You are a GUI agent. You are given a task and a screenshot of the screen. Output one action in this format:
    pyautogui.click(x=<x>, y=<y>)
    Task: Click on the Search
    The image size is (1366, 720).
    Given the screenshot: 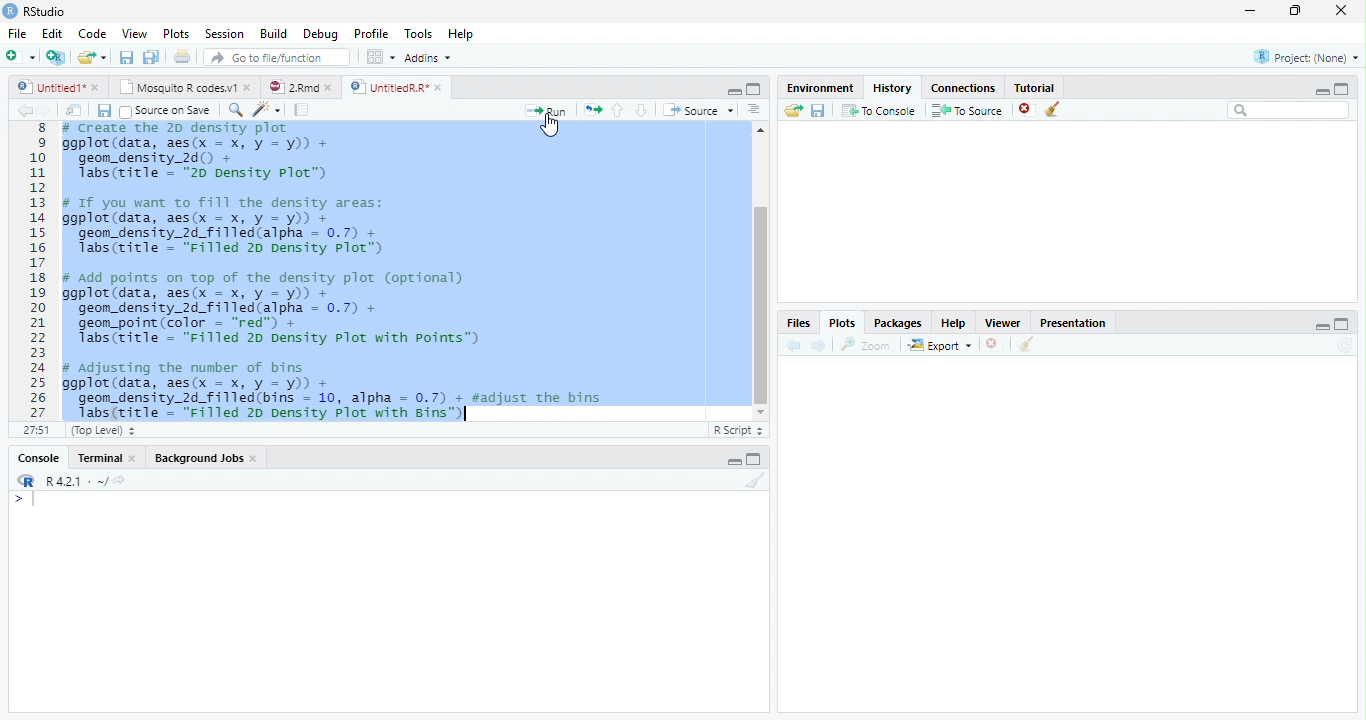 What is the action you would take?
    pyautogui.click(x=1289, y=110)
    